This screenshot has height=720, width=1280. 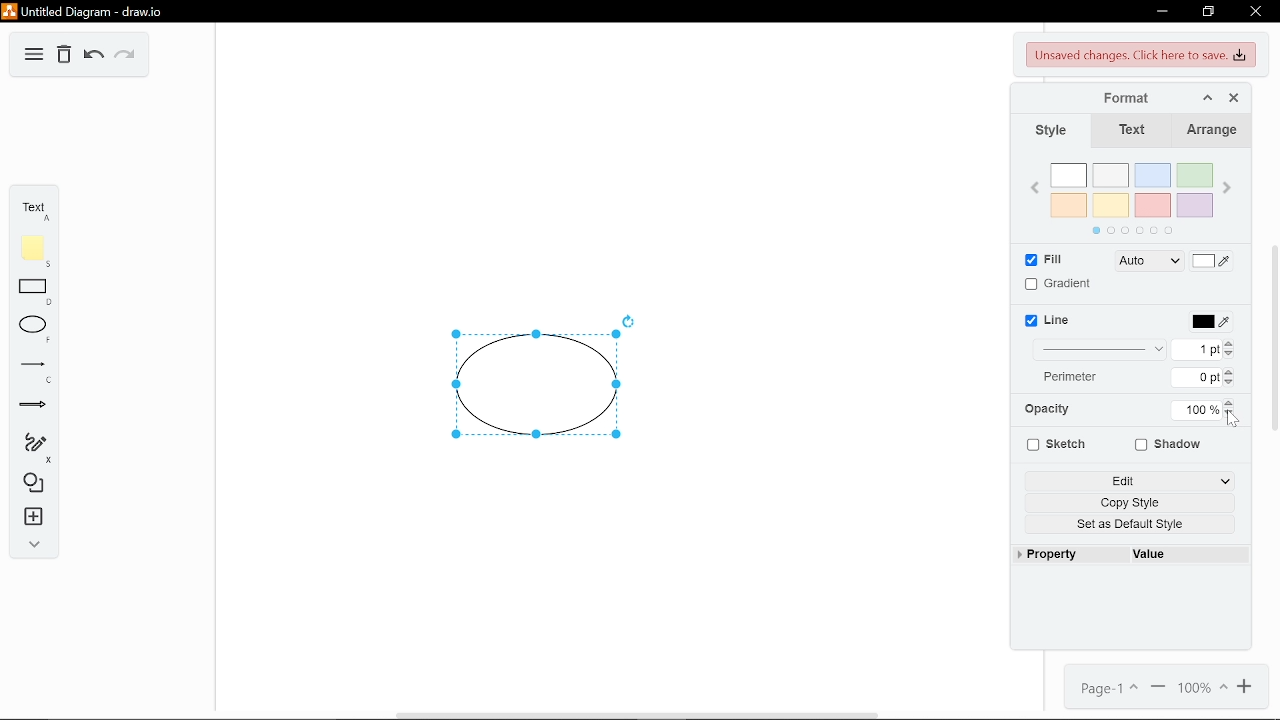 I want to click on Current window, so click(x=118, y=12).